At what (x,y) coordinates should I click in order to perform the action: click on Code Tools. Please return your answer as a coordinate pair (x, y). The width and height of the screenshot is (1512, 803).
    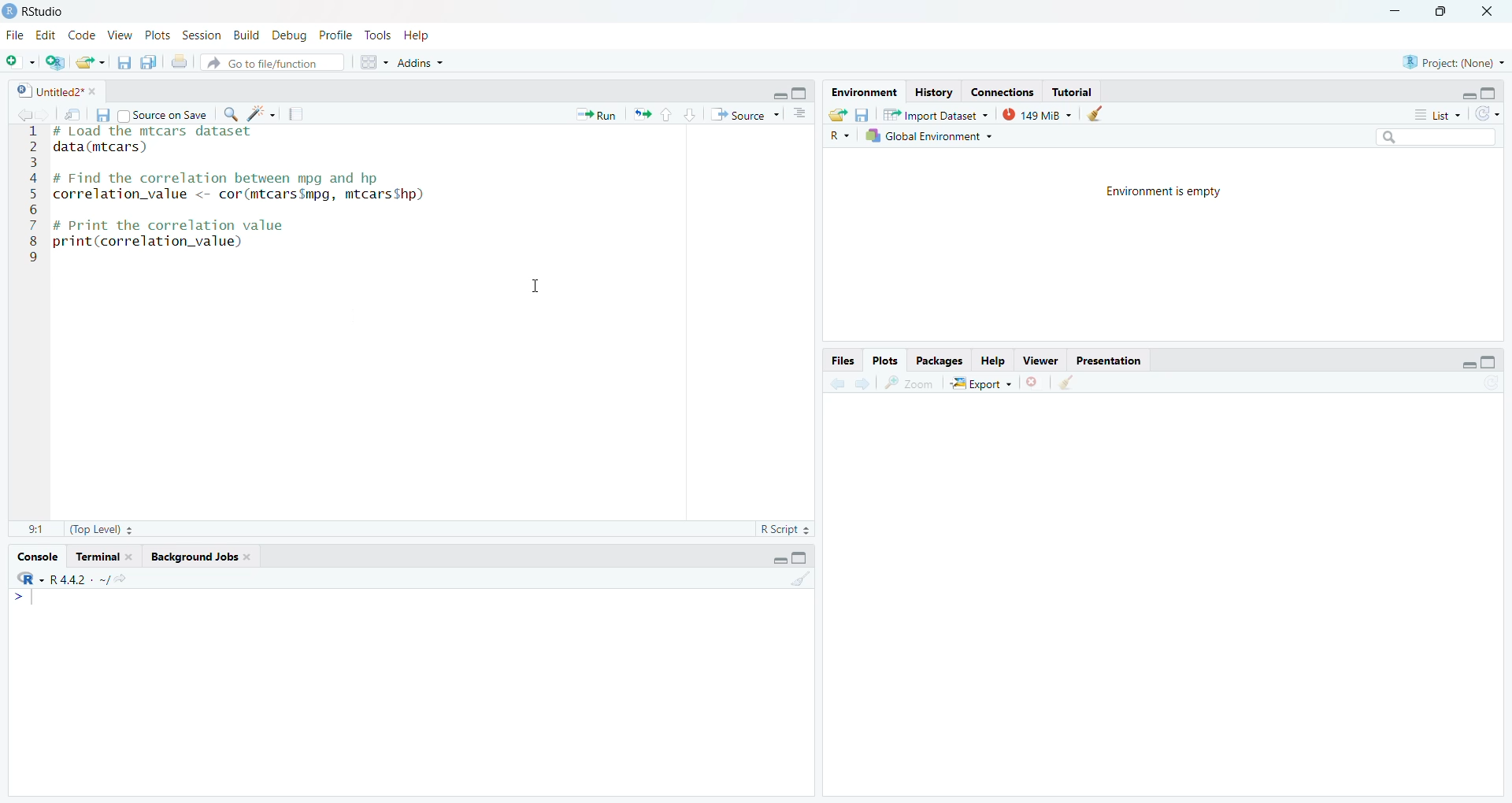
    Looking at the image, I should click on (265, 113).